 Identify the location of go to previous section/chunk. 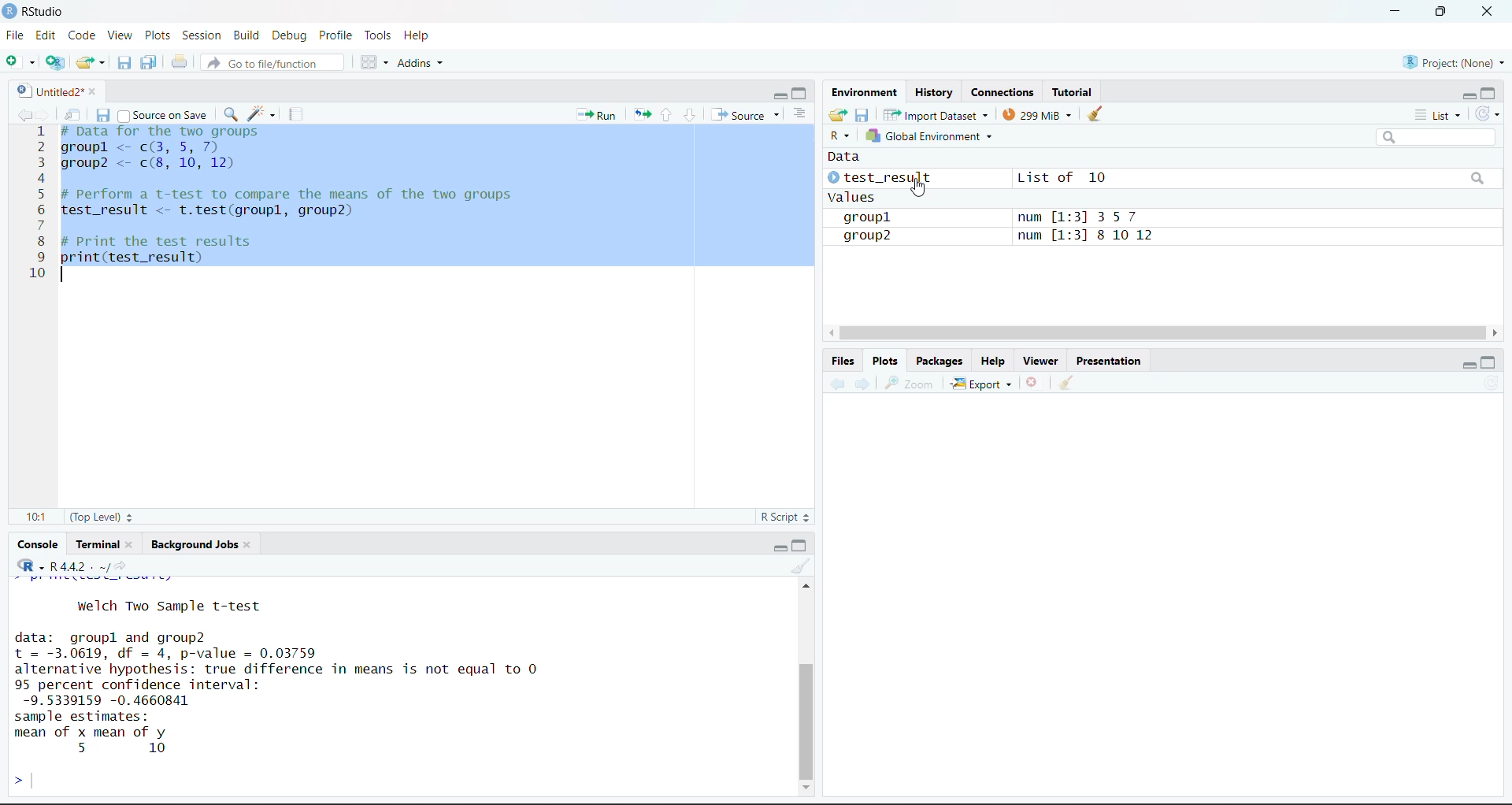
(665, 116).